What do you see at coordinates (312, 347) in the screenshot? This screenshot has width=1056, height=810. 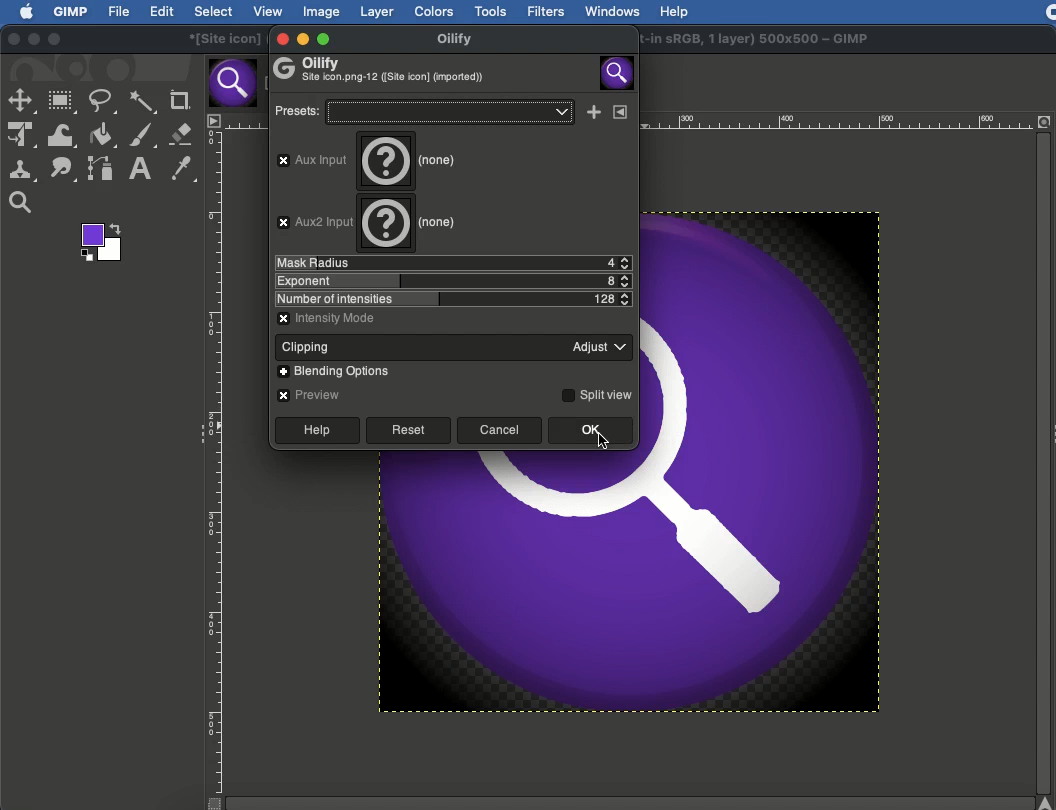 I see `Clipping` at bounding box center [312, 347].